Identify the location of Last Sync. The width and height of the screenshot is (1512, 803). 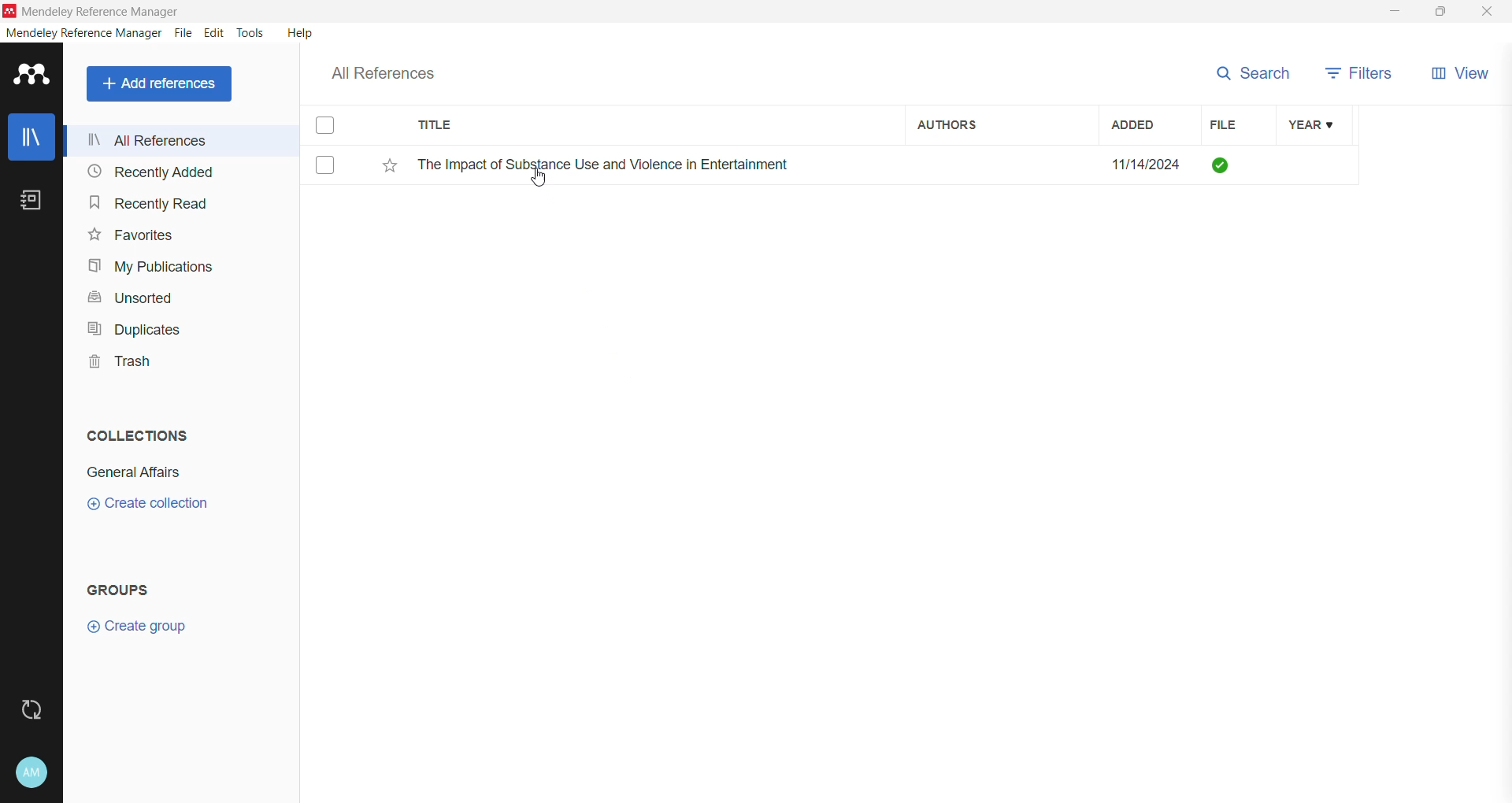
(38, 708).